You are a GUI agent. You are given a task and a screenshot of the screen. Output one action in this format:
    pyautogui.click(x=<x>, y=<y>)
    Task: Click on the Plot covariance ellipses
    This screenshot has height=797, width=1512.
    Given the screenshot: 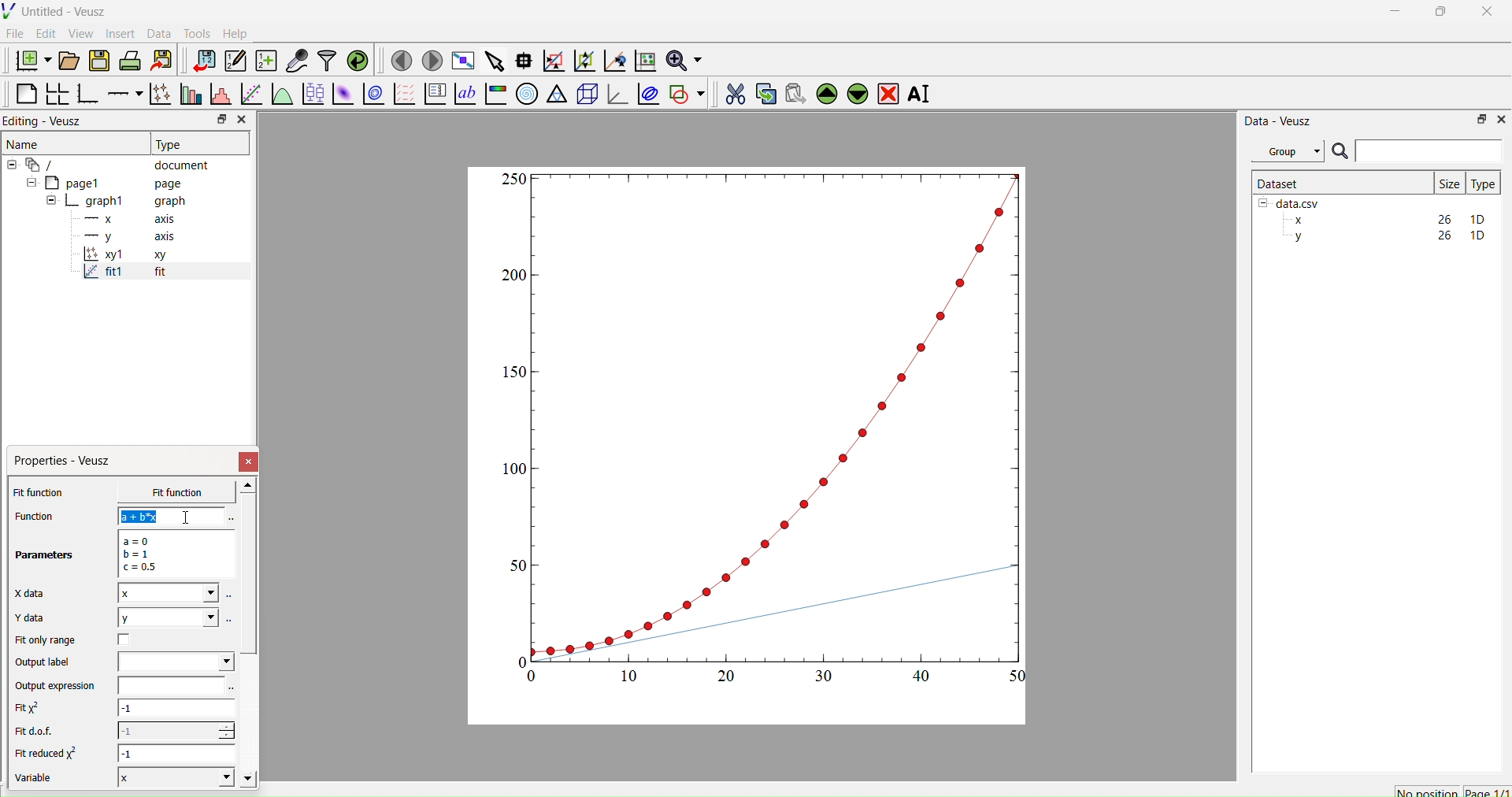 What is the action you would take?
    pyautogui.click(x=647, y=93)
    